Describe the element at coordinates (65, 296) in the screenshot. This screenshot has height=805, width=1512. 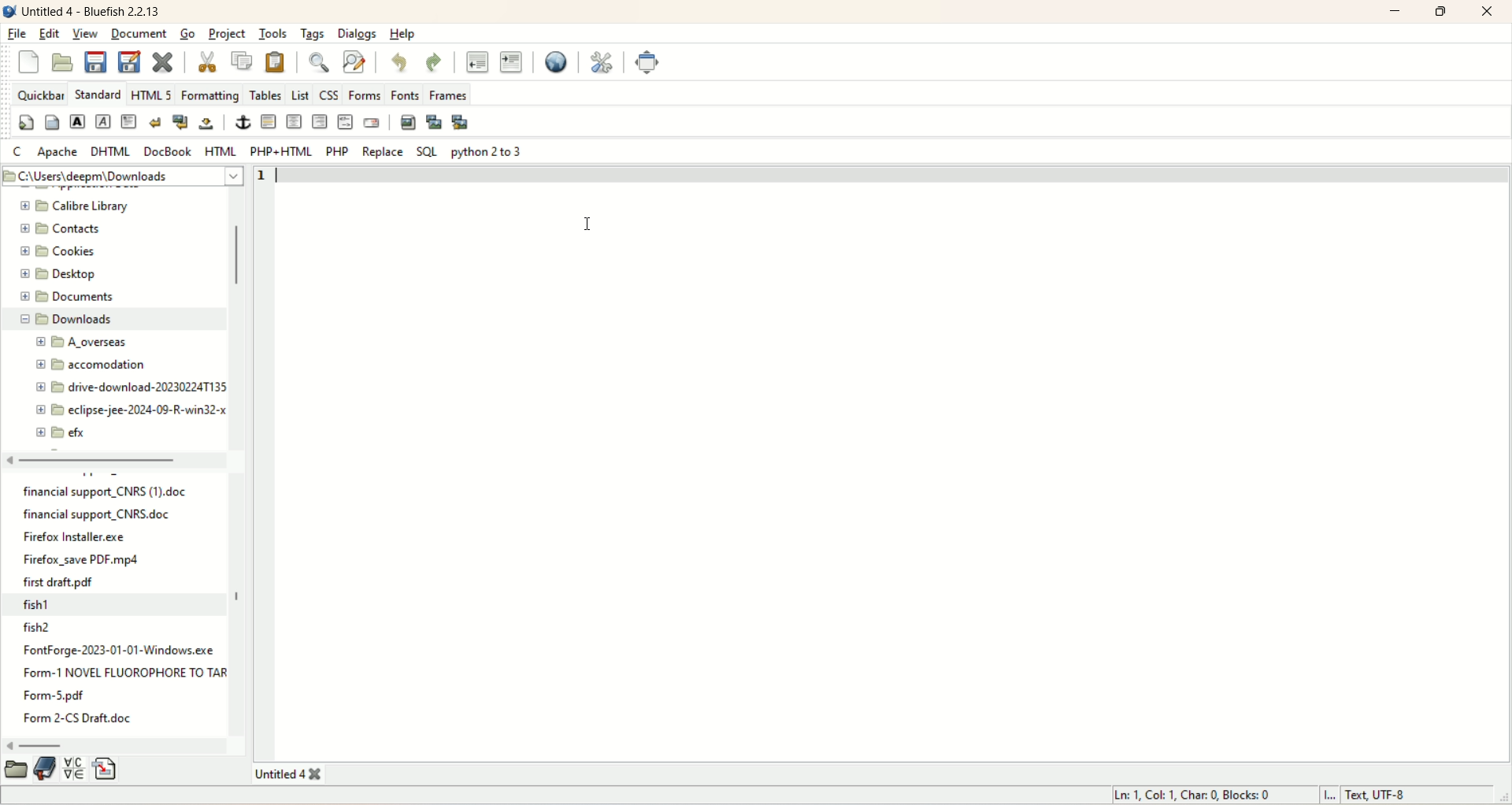
I see `documents` at that location.